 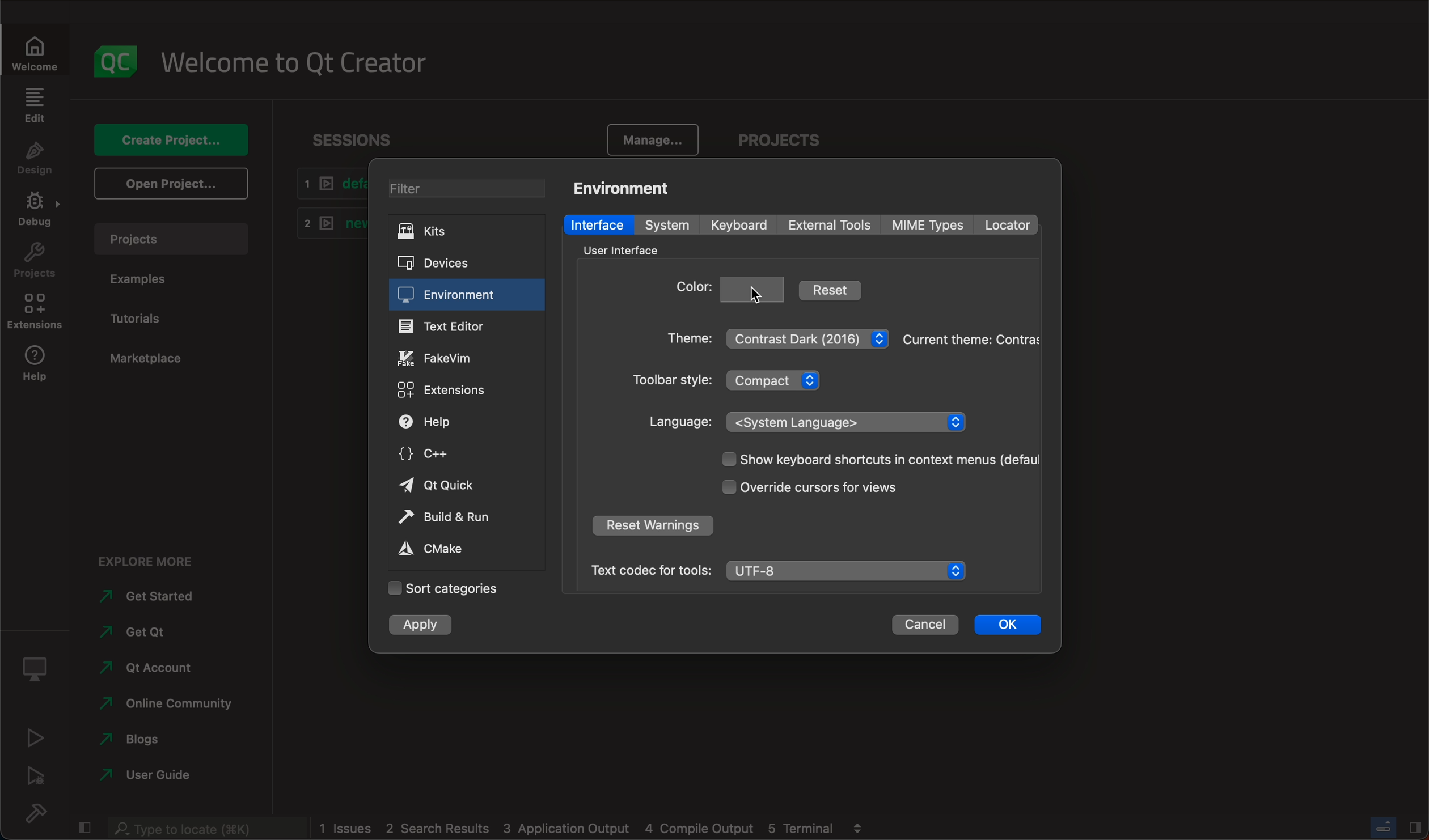 What do you see at coordinates (327, 222) in the screenshot?
I see `2` at bounding box center [327, 222].